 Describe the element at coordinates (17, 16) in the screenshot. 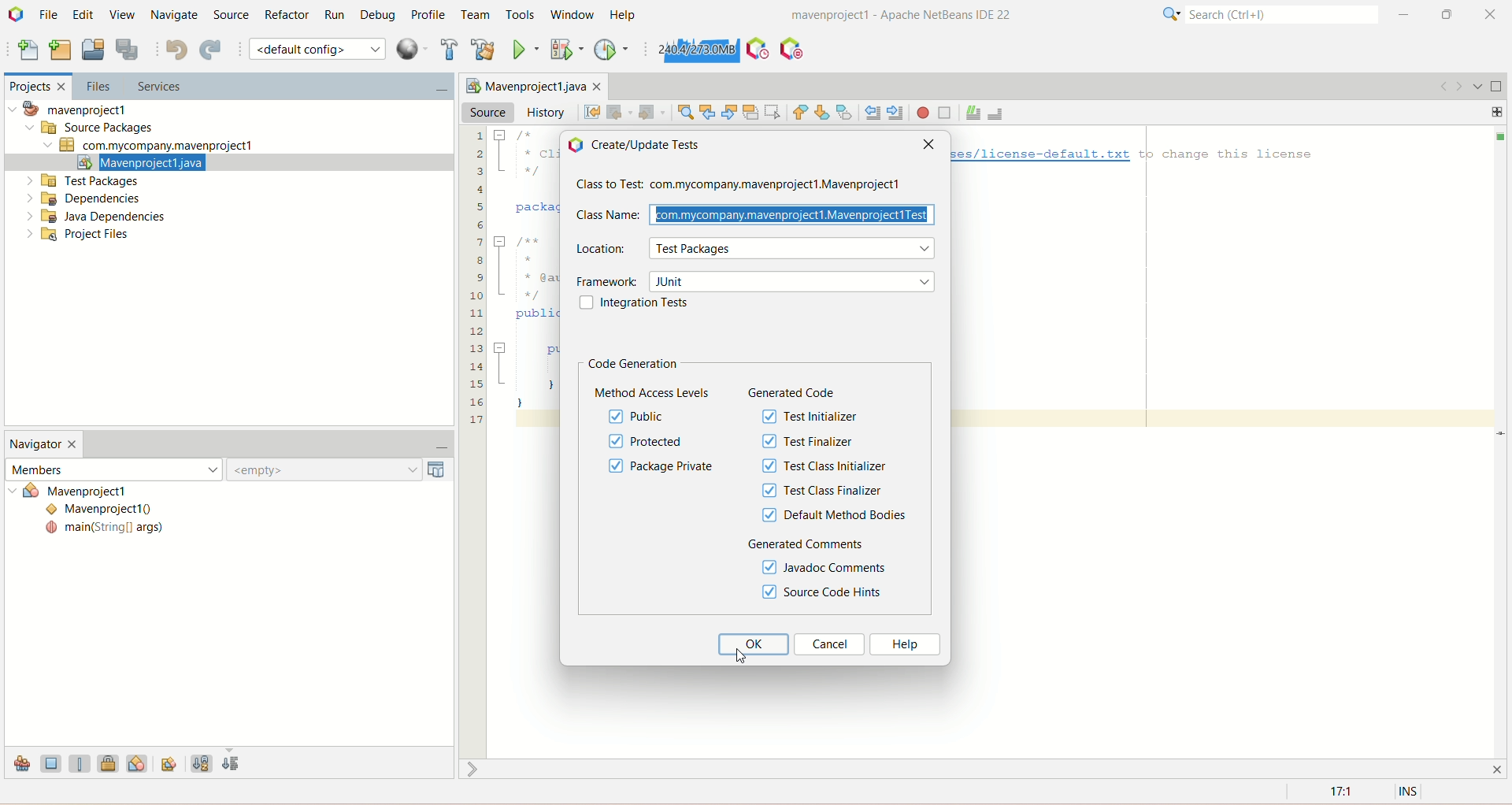

I see `logo` at that location.